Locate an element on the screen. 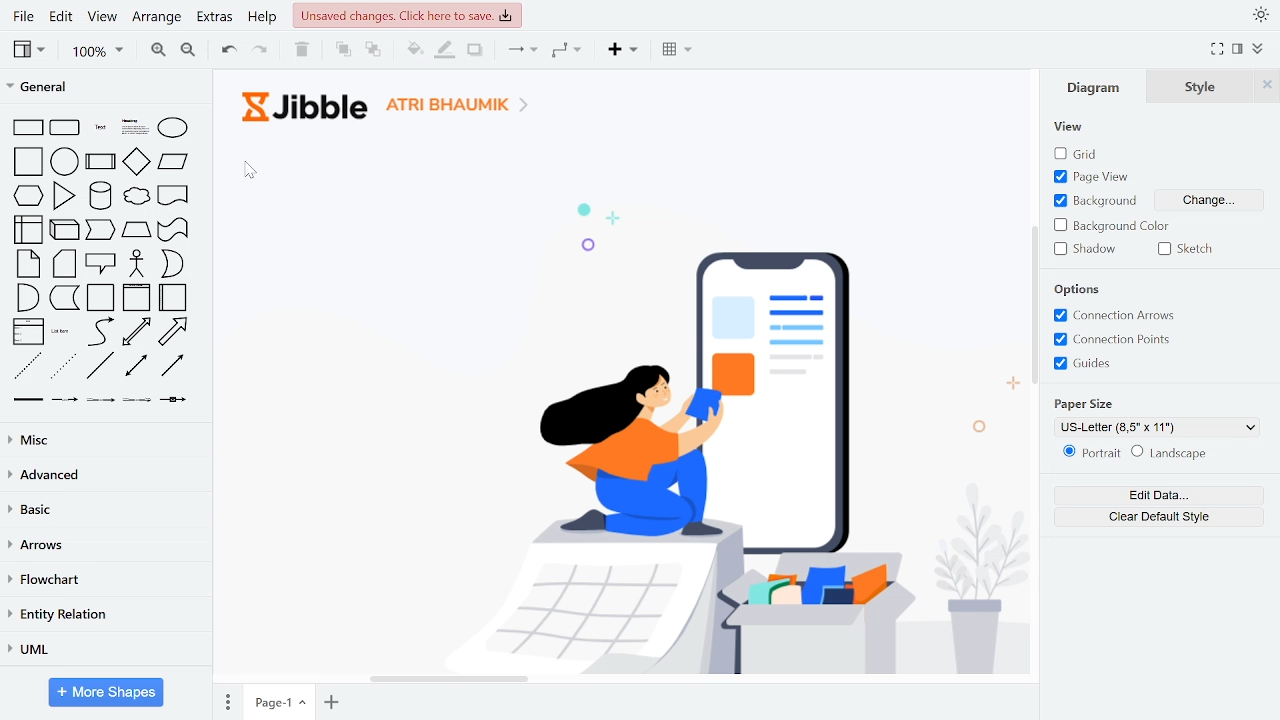 This screenshot has height=720, width=1280. general shapes is located at coordinates (97, 194).